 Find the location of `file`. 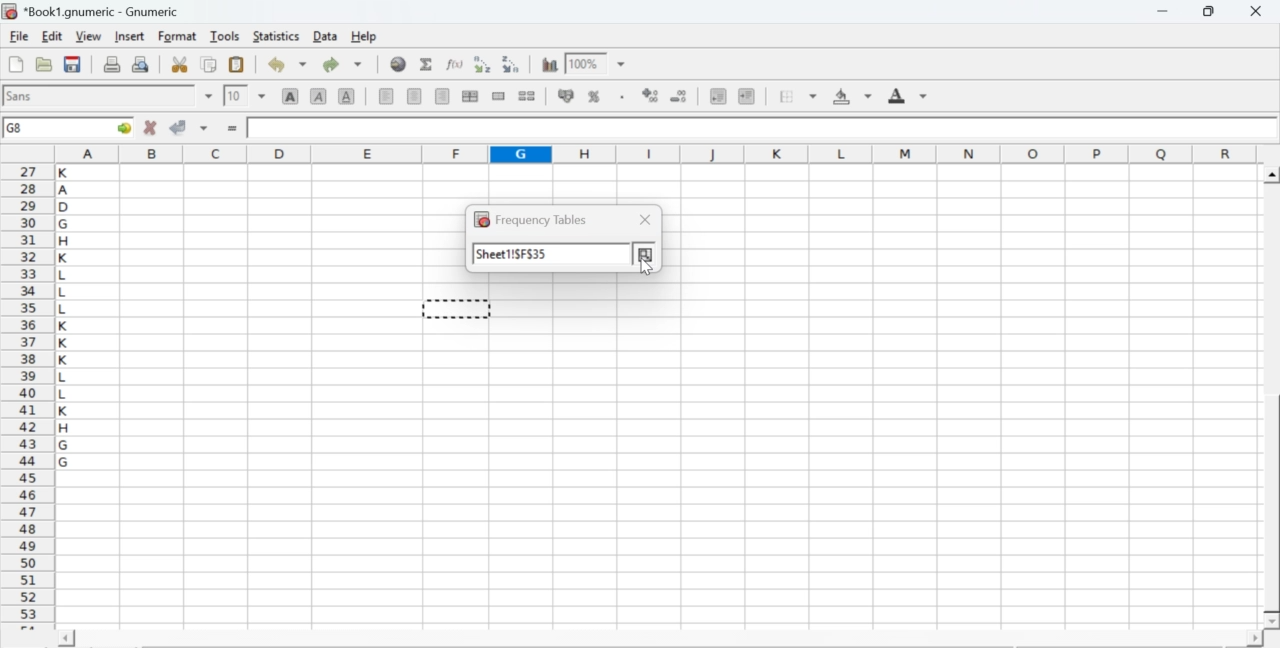

file is located at coordinates (18, 37).